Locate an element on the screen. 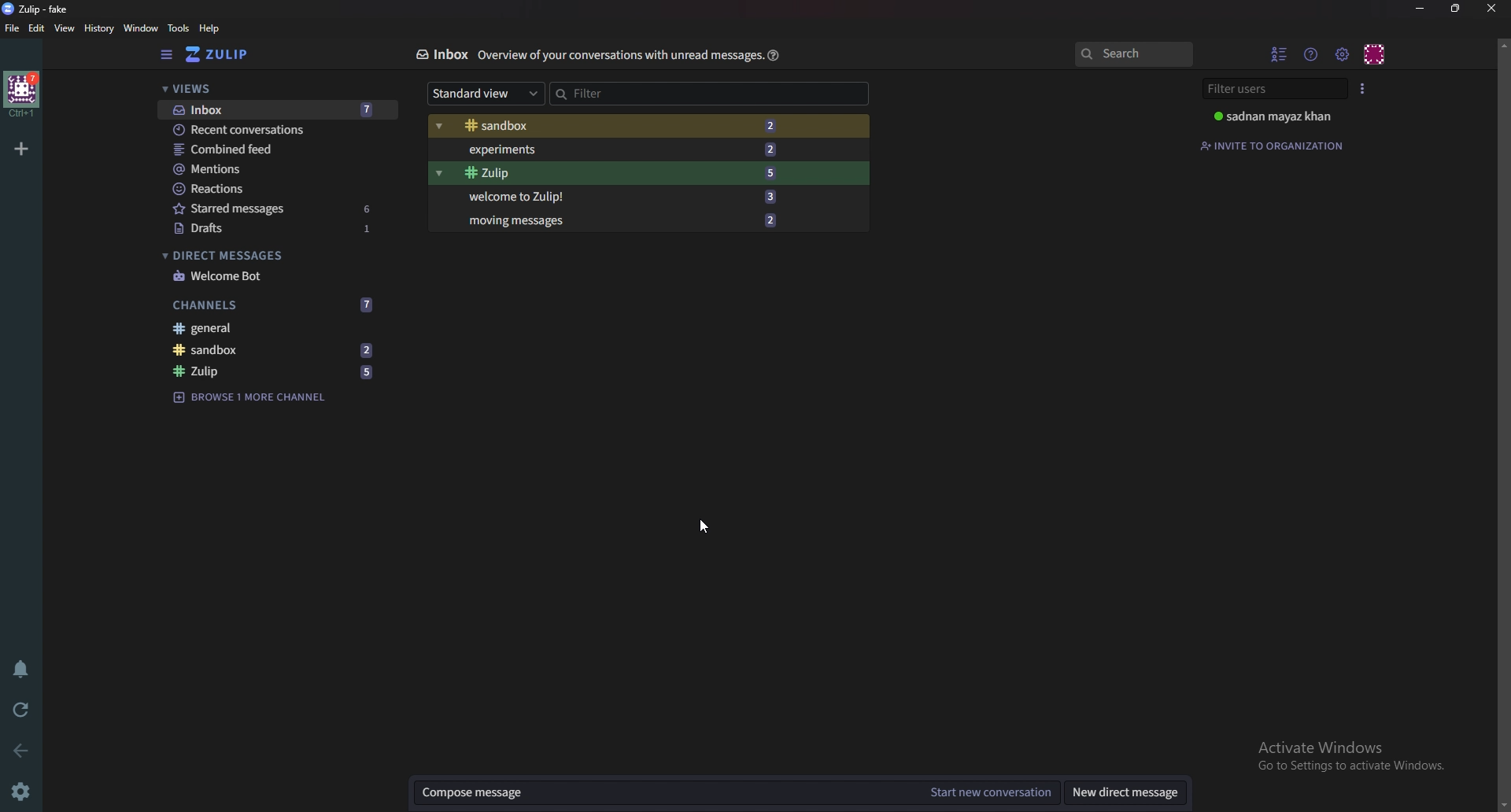 The image size is (1511, 812). starred messages is located at coordinates (275, 207).